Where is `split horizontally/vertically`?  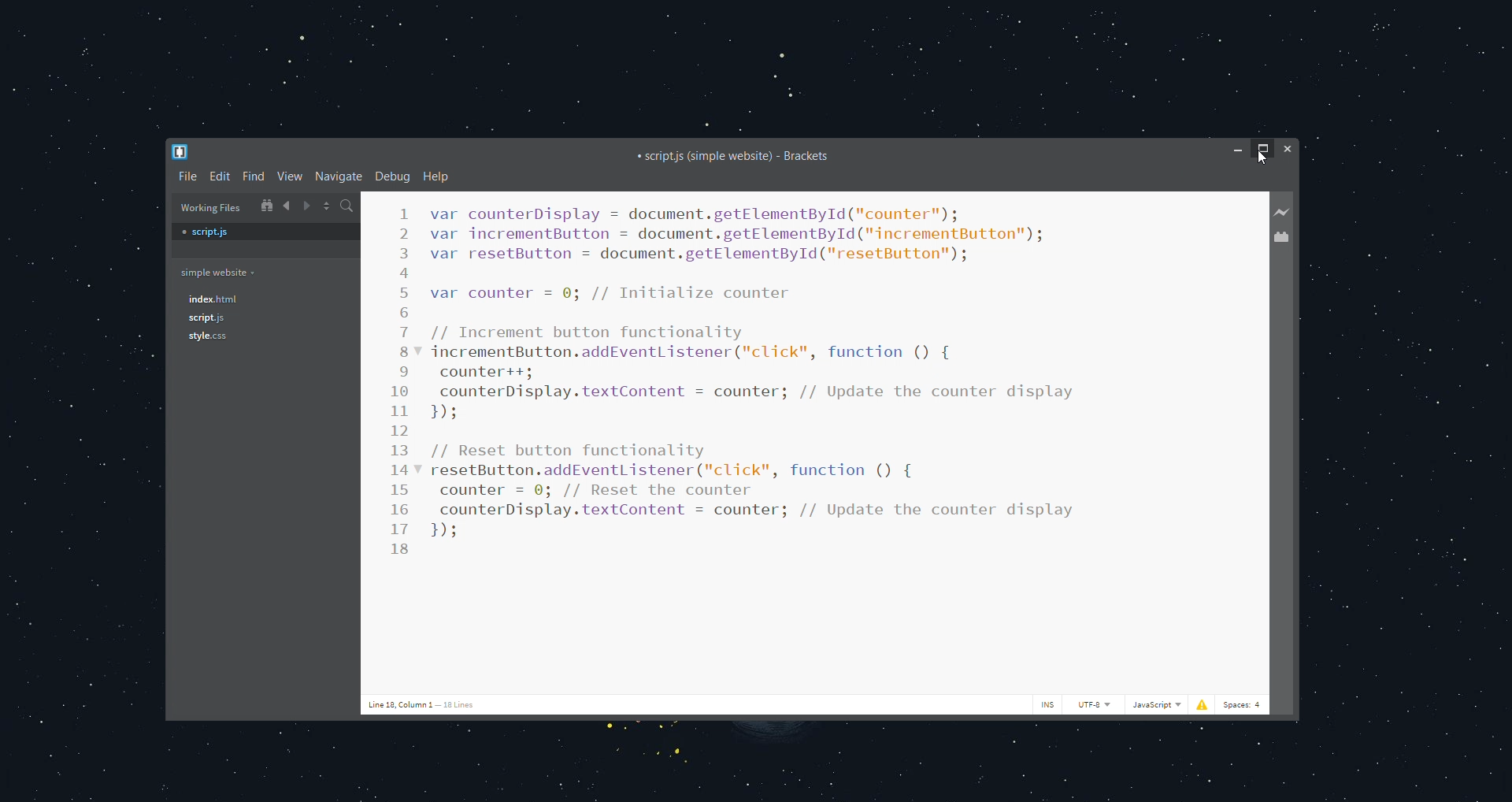
split horizontally/vertically is located at coordinates (328, 206).